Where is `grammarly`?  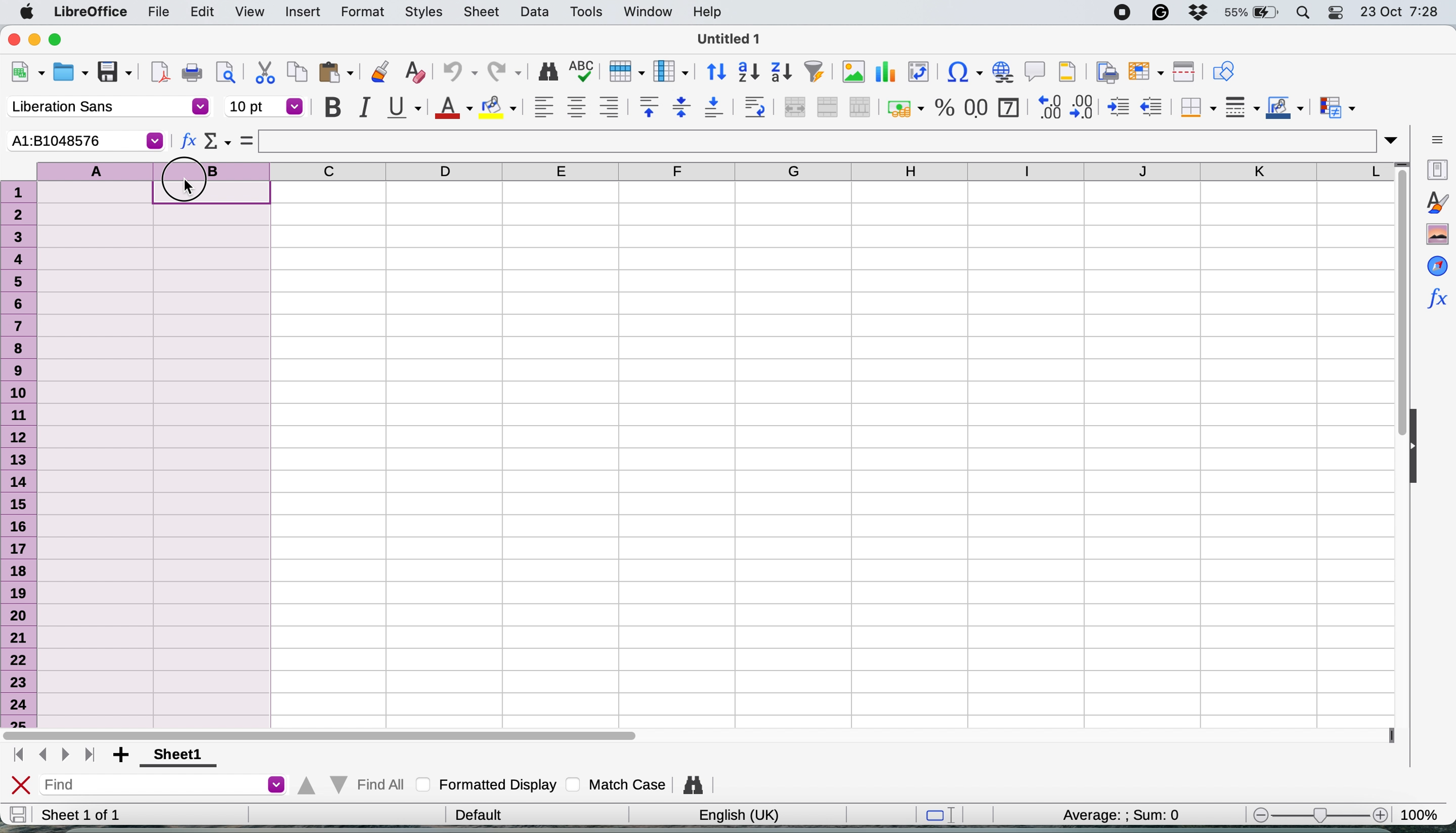
grammarly is located at coordinates (1160, 13).